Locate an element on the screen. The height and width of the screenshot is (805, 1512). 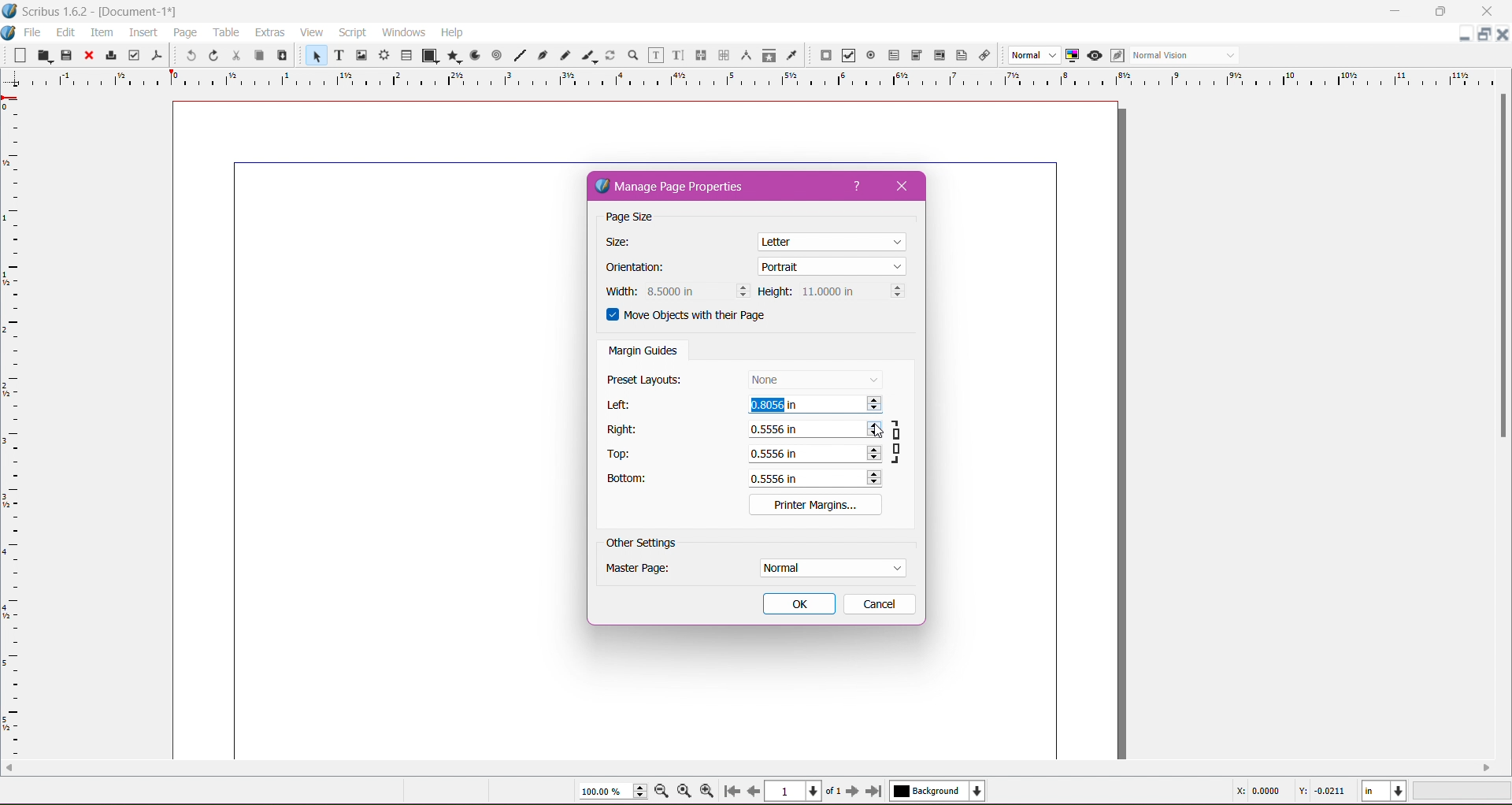
Margin Guides is located at coordinates (643, 352).